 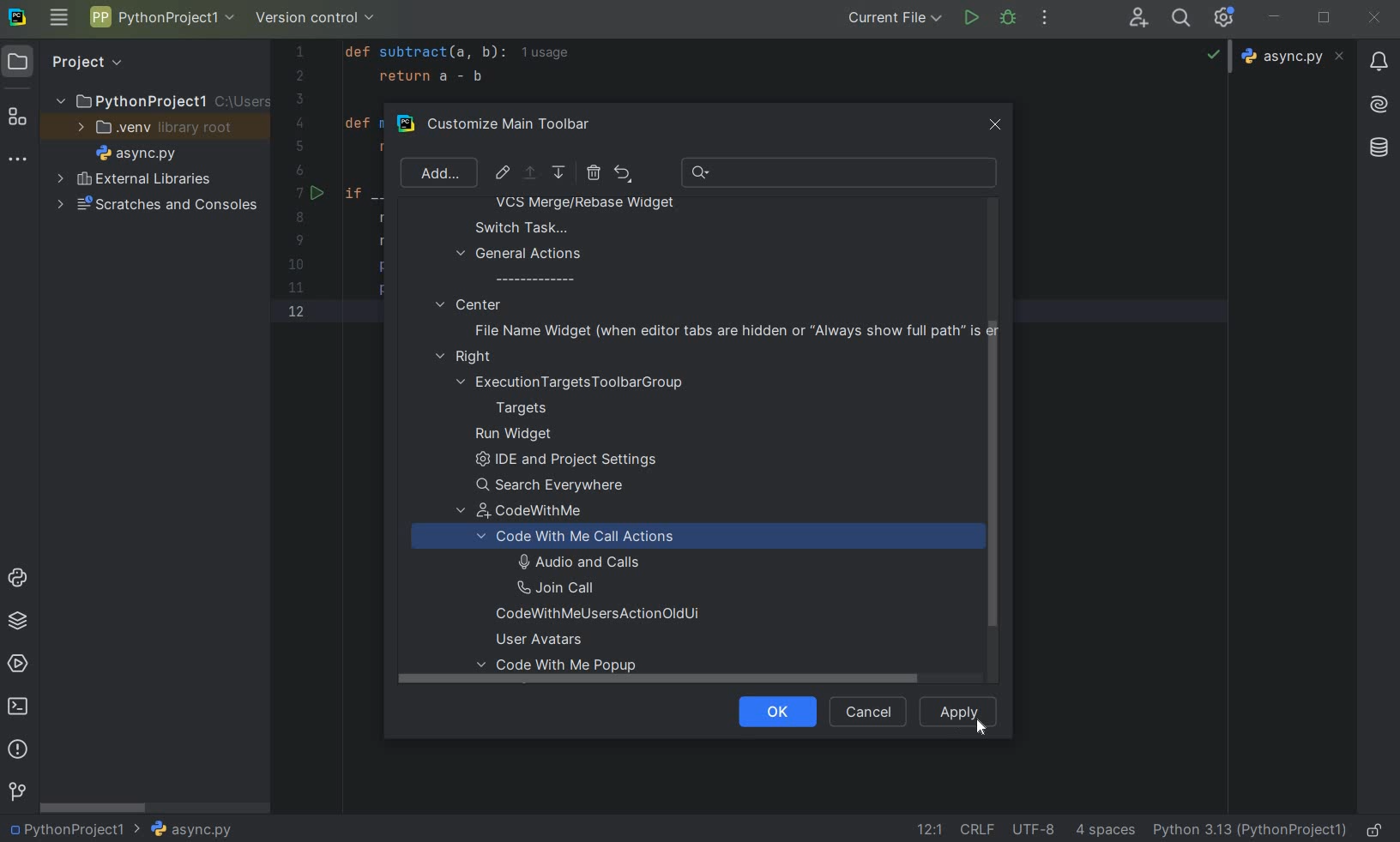 What do you see at coordinates (959, 711) in the screenshot?
I see `apply` at bounding box center [959, 711].